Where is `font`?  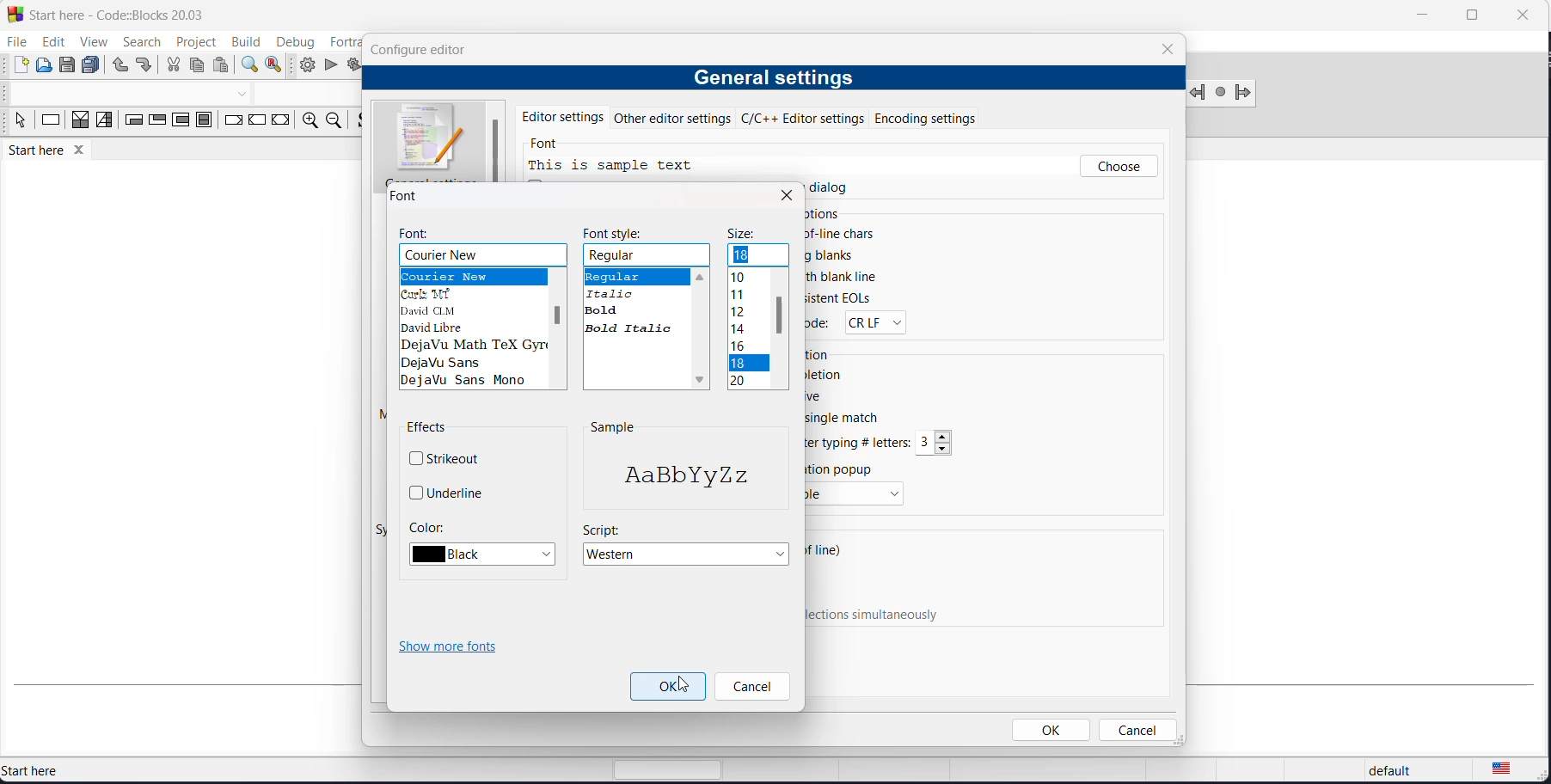
font is located at coordinates (419, 234).